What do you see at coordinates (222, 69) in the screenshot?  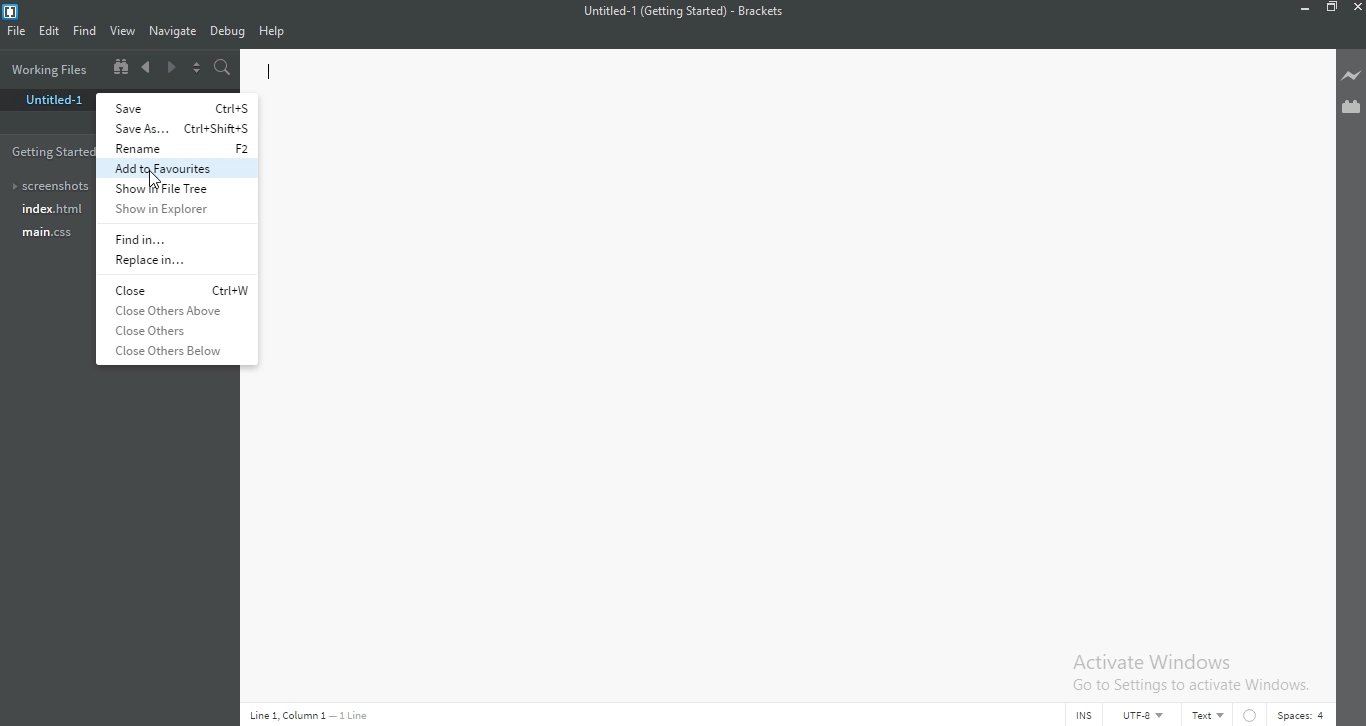 I see `Find in files` at bounding box center [222, 69].